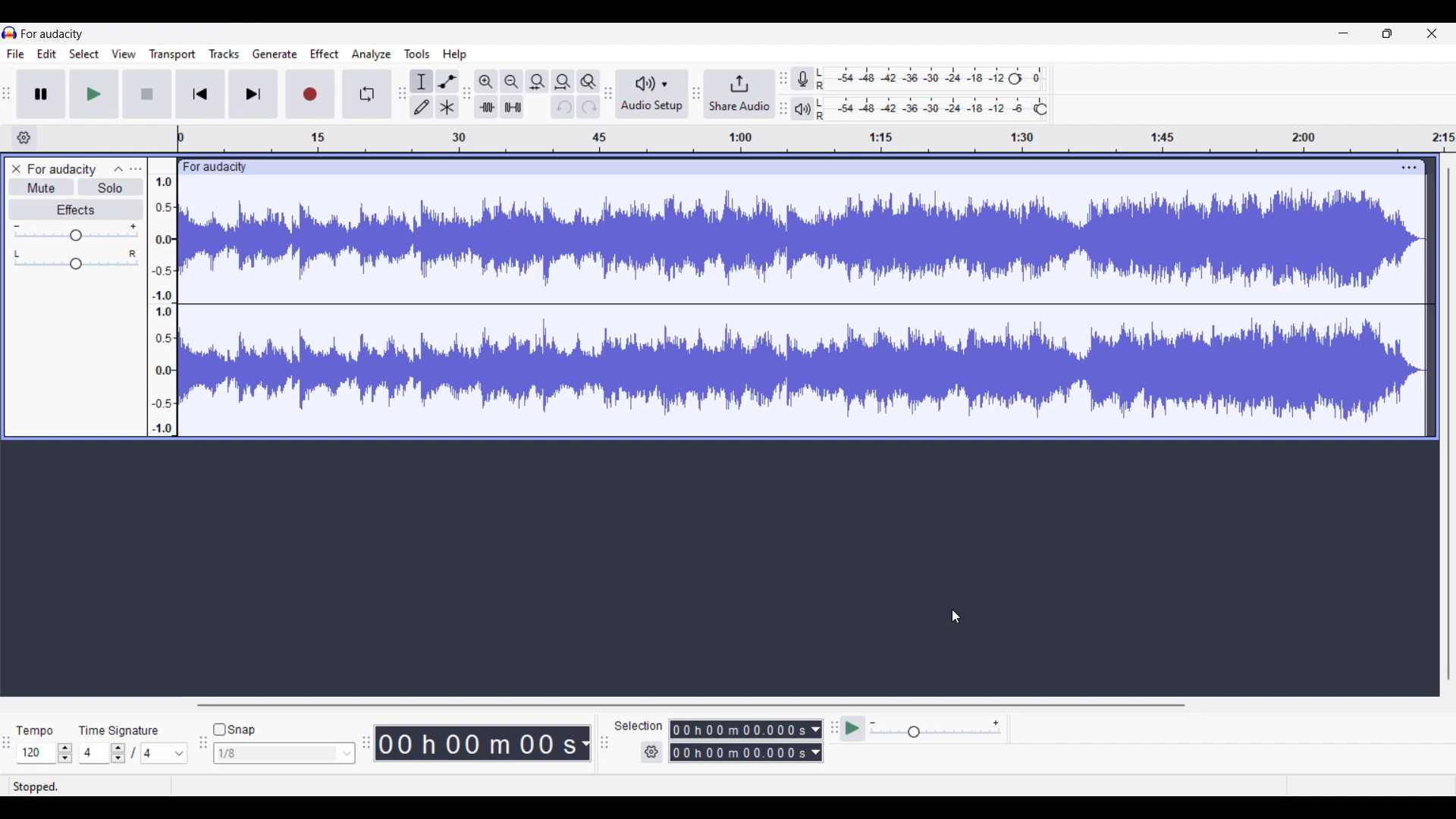 This screenshot has width=1456, height=819. Describe the element at coordinates (237, 730) in the screenshot. I see `Snap toggle` at that location.